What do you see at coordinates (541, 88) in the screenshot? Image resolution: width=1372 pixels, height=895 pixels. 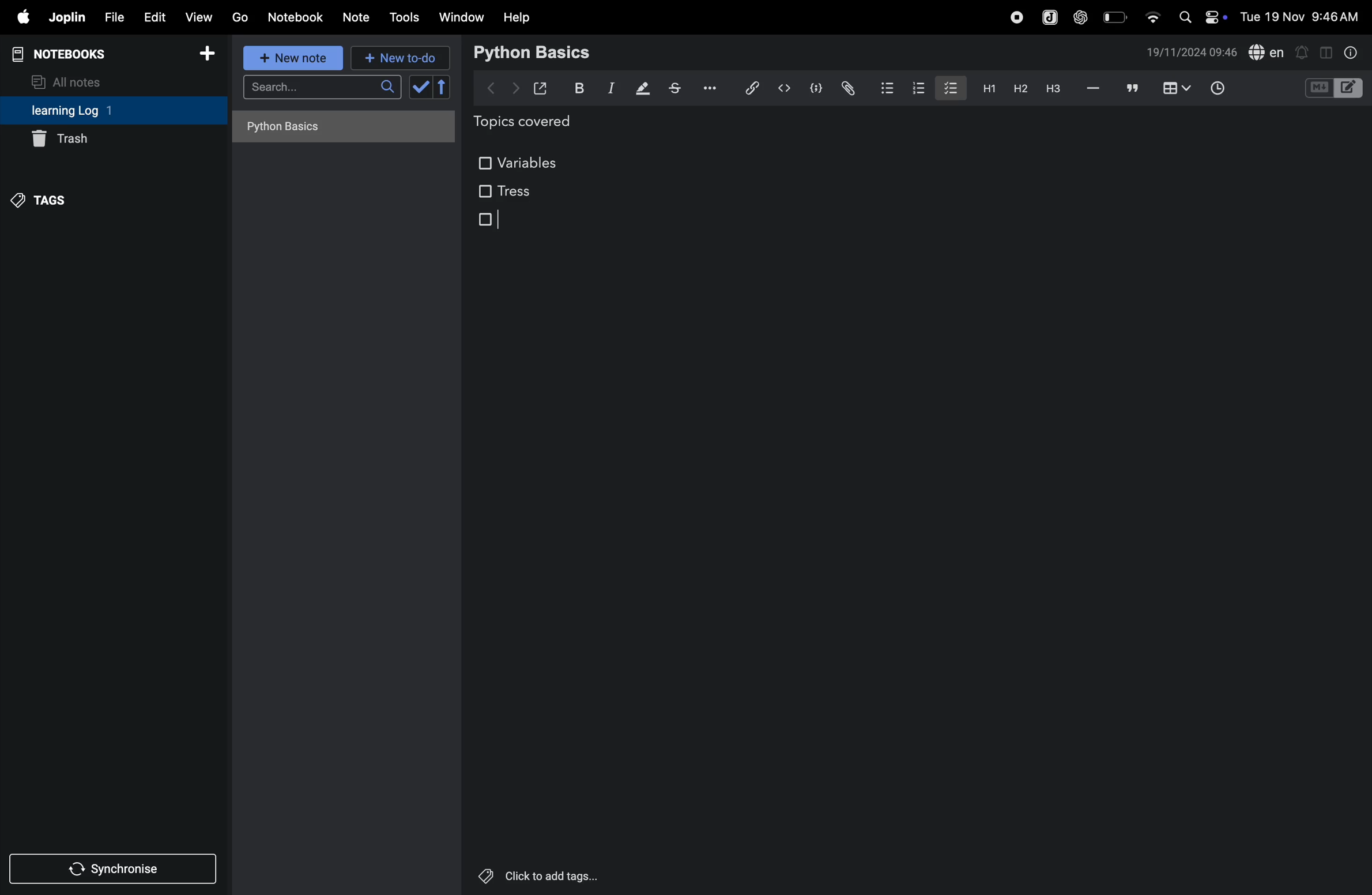 I see `open` at bounding box center [541, 88].